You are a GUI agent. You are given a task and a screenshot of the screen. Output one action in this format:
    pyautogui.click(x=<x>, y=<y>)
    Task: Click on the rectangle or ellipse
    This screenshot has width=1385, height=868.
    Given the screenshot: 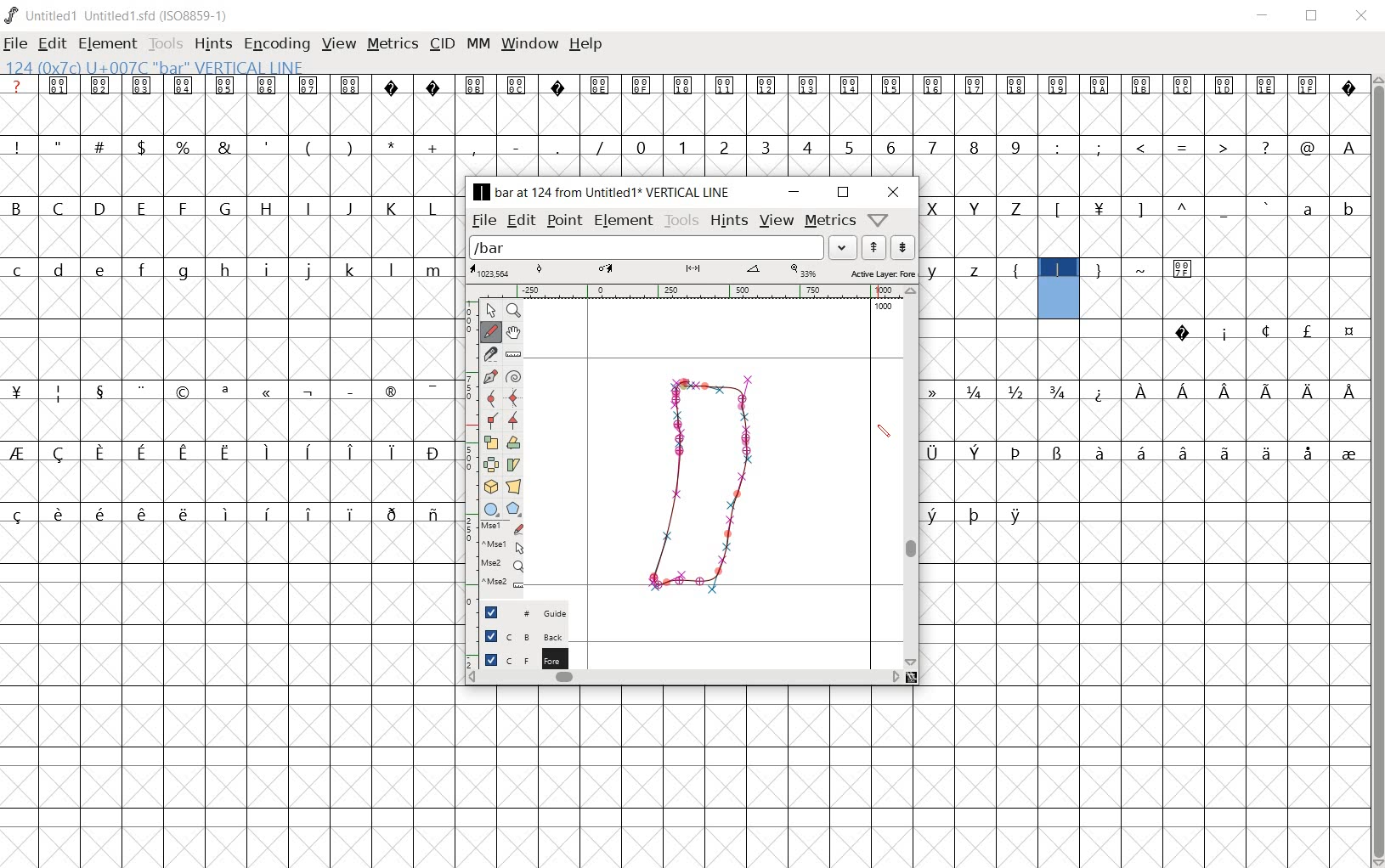 What is the action you would take?
    pyautogui.click(x=489, y=509)
    